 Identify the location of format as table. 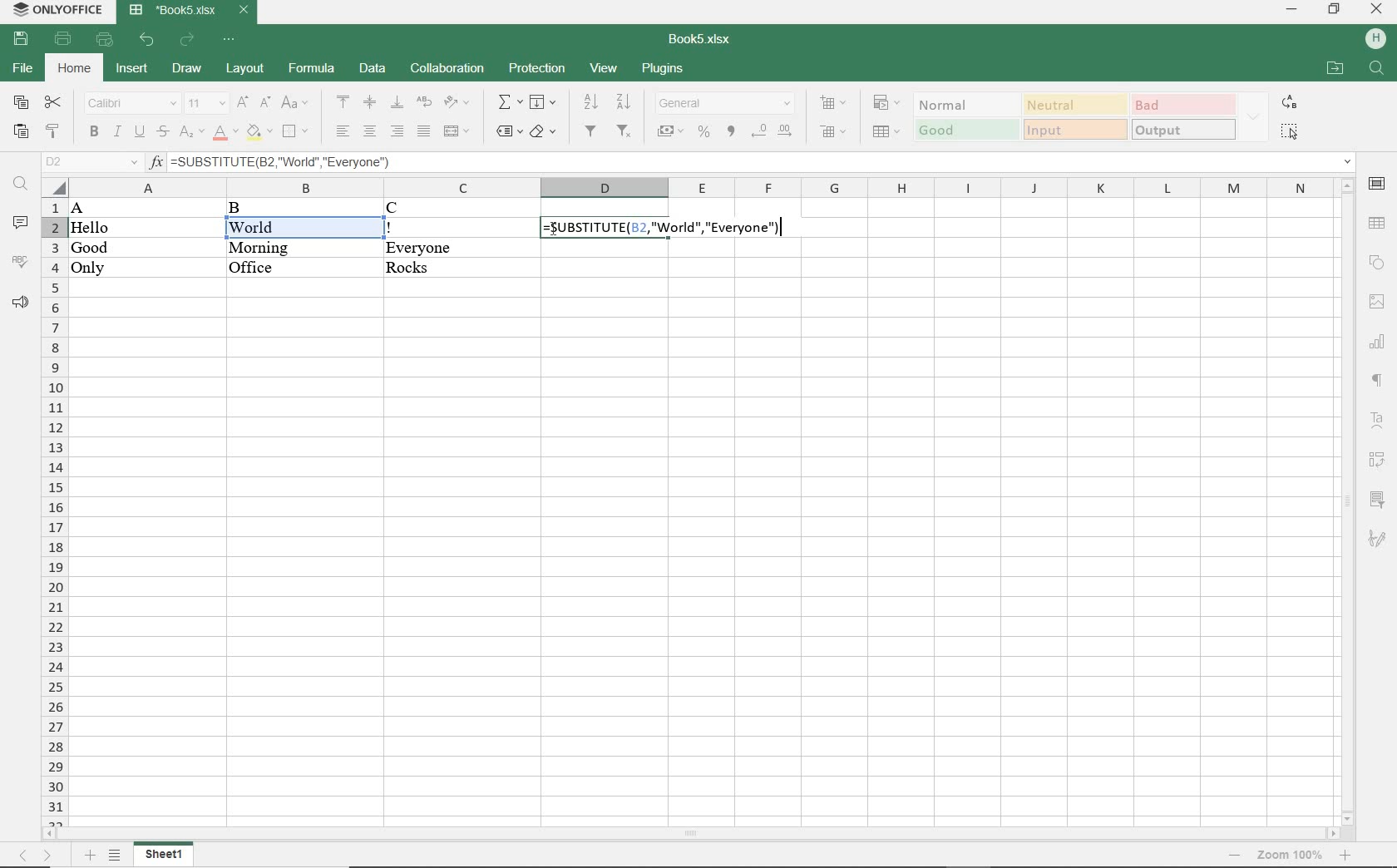
(885, 131).